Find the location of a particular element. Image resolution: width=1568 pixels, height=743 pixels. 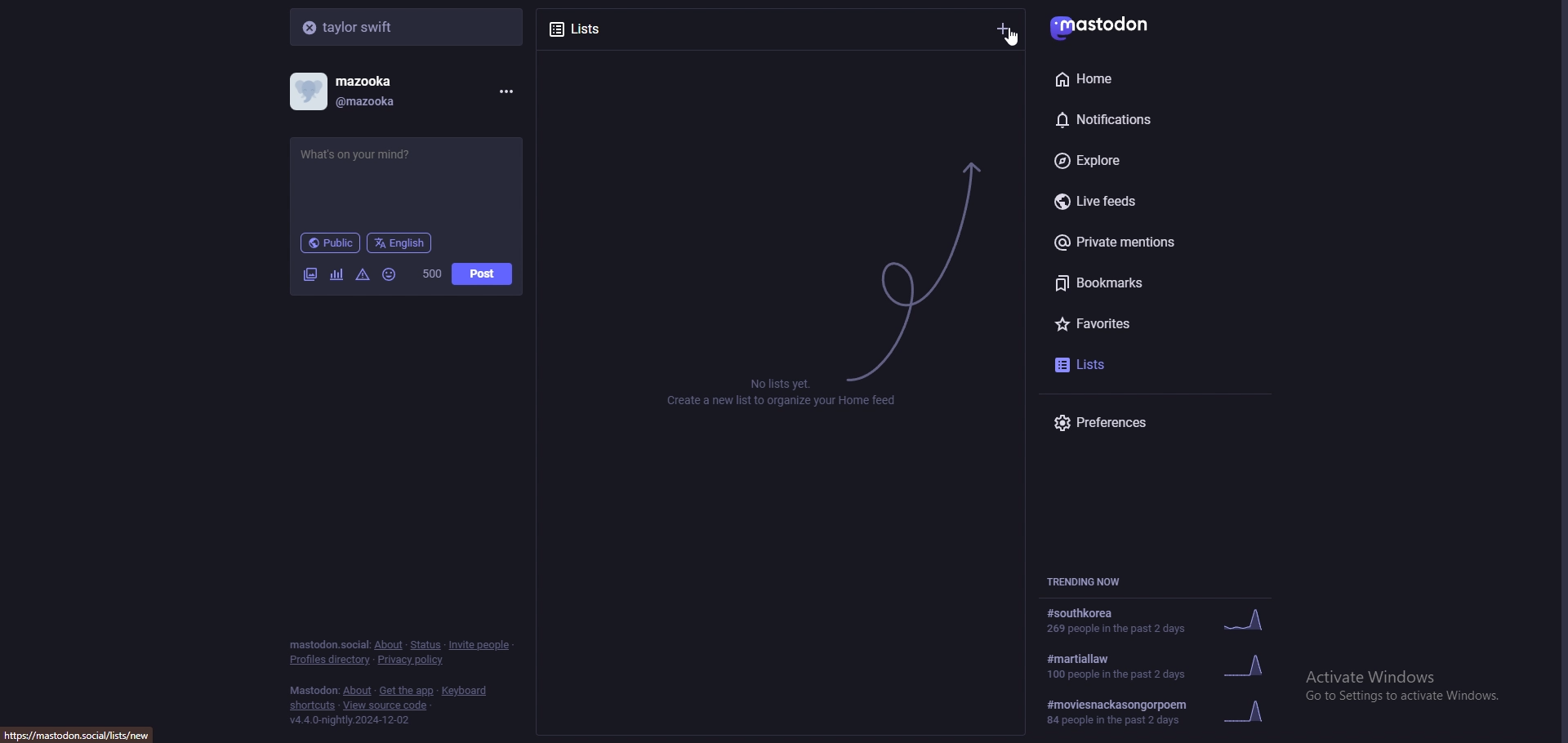

warning is located at coordinates (363, 274).